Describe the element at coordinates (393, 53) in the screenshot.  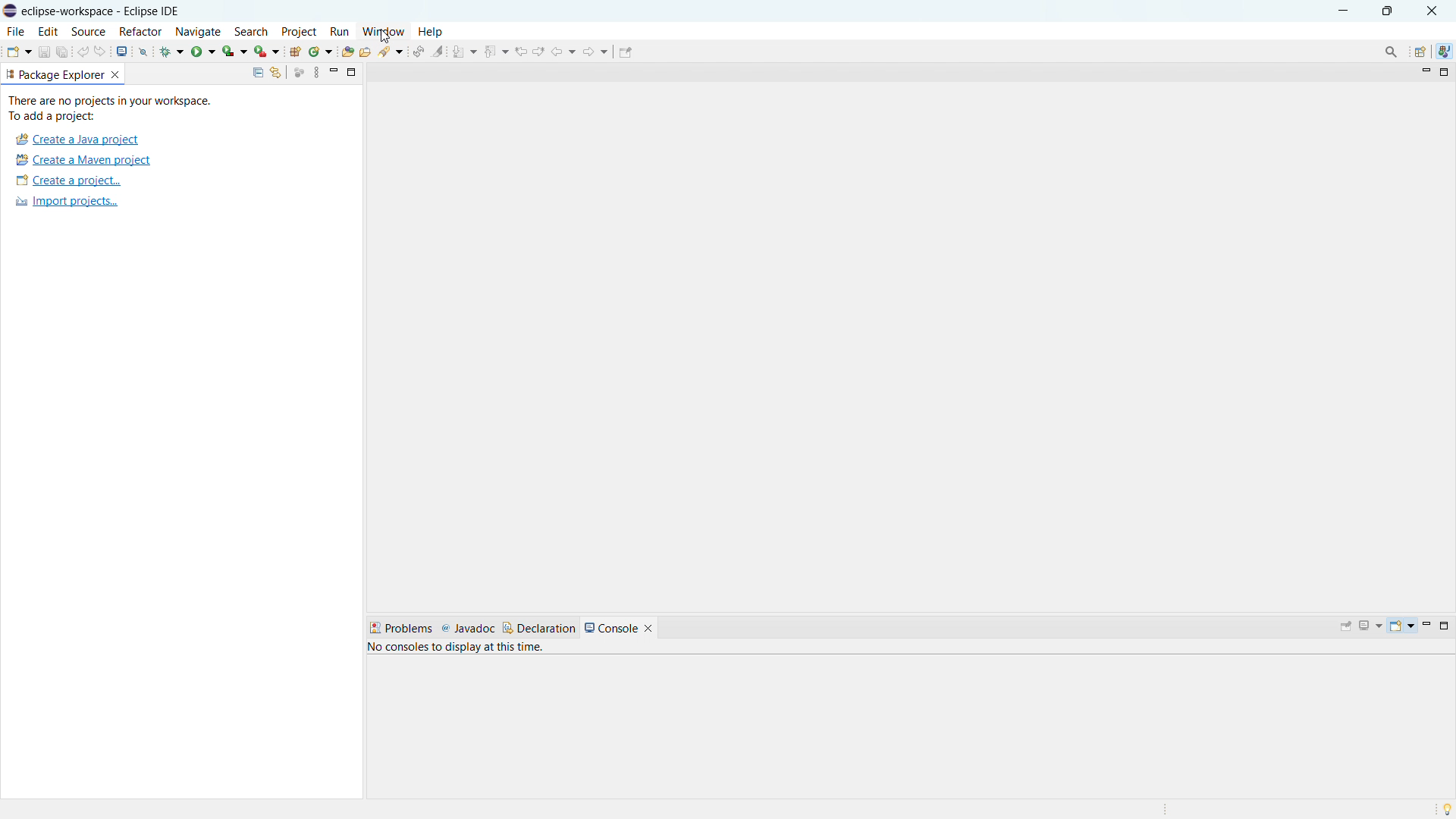
I see `search` at that location.